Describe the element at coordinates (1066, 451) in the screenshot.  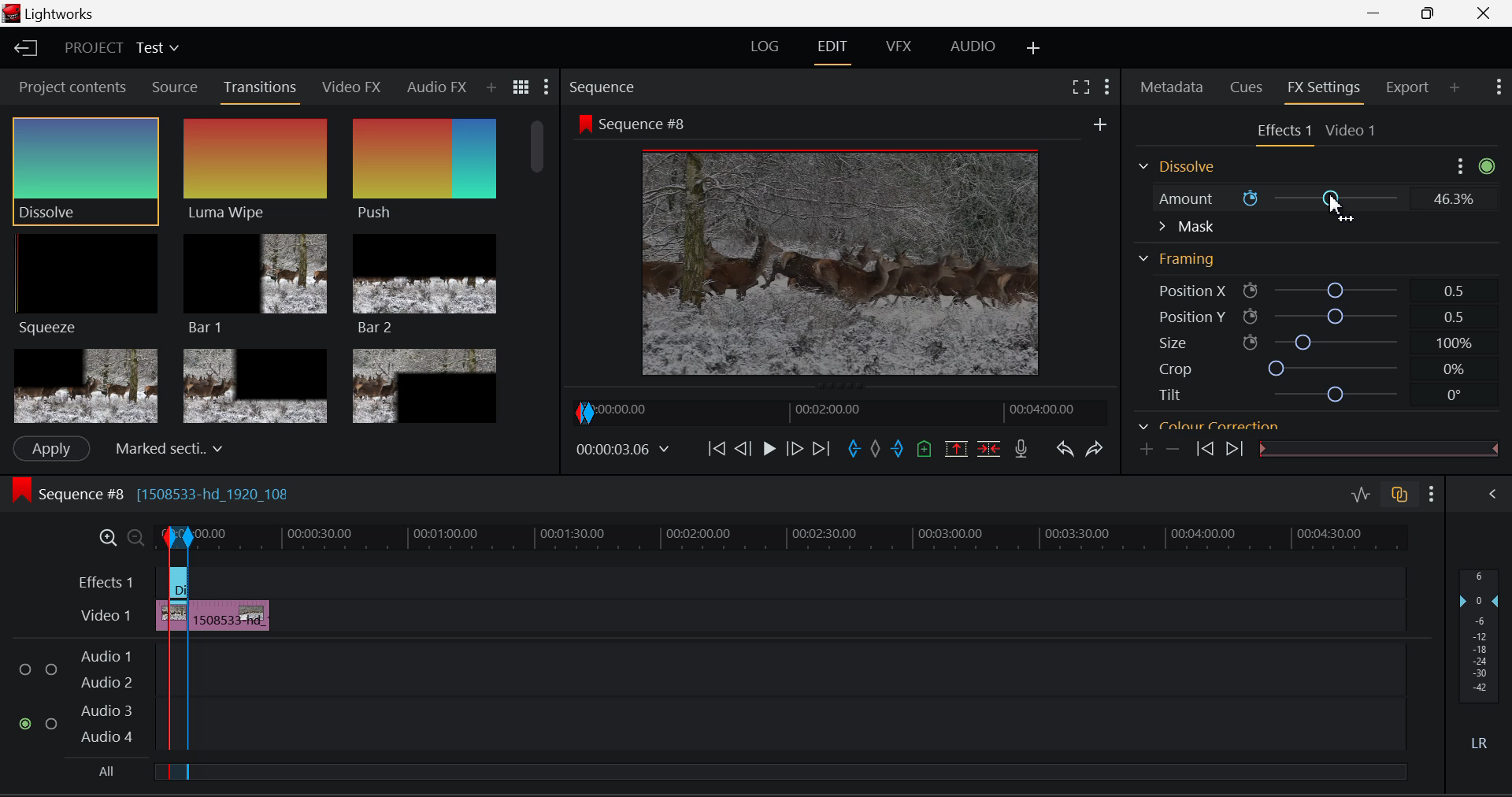
I see `Undo` at that location.